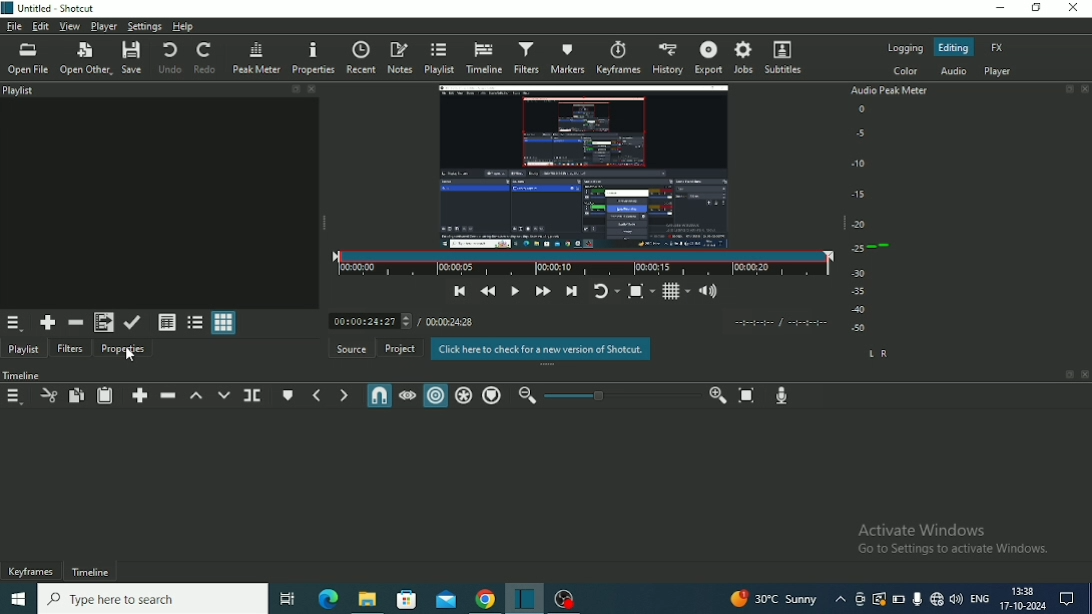 The height and width of the screenshot is (614, 1092). What do you see at coordinates (206, 57) in the screenshot?
I see `Redo` at bounding box center [206, 57].